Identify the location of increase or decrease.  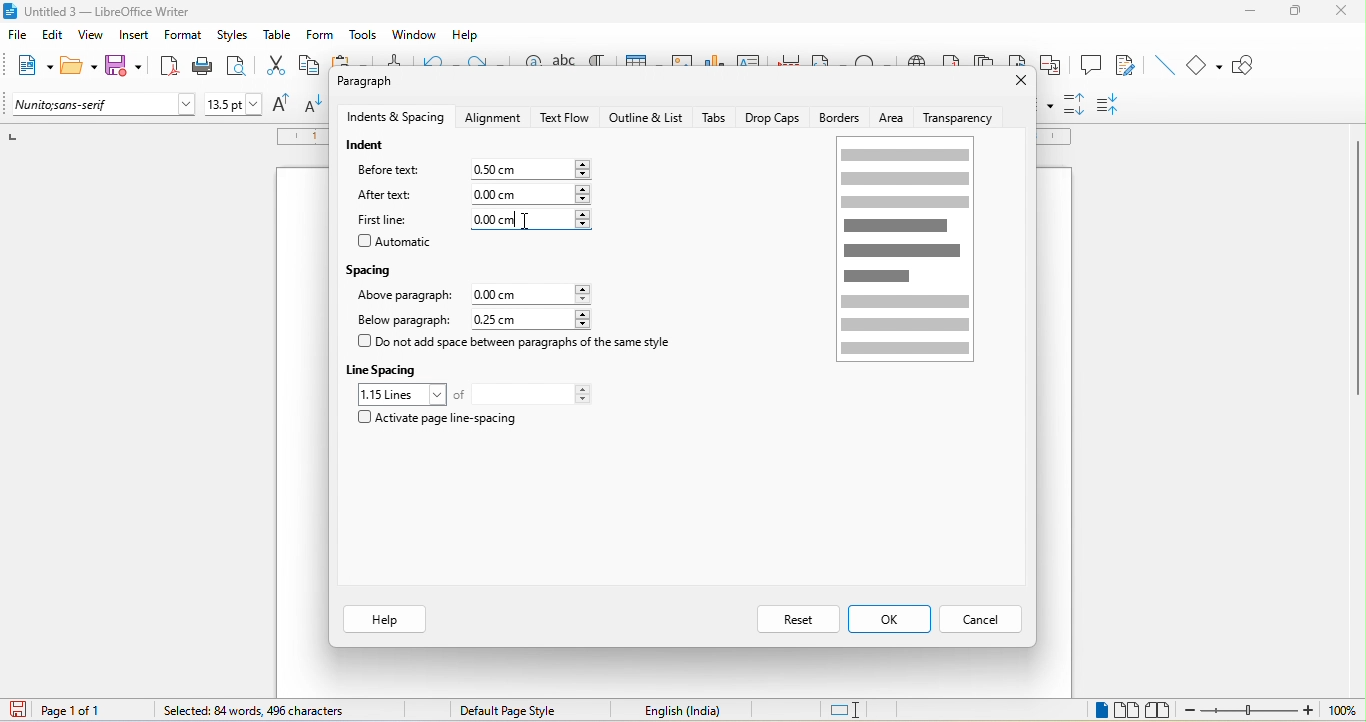
(581, 295).